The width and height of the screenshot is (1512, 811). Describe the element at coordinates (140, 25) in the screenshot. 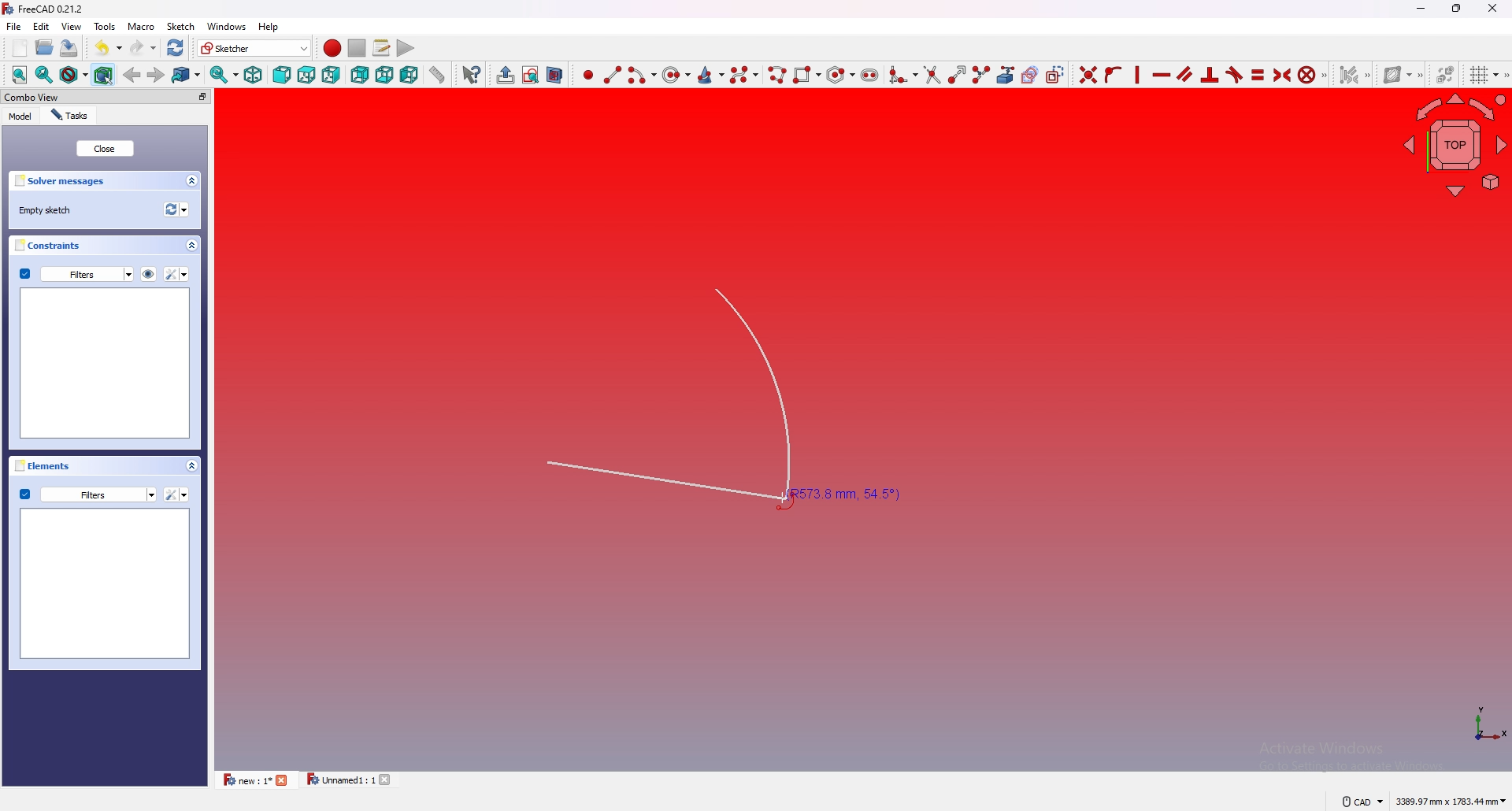

I see `macro` at that location.